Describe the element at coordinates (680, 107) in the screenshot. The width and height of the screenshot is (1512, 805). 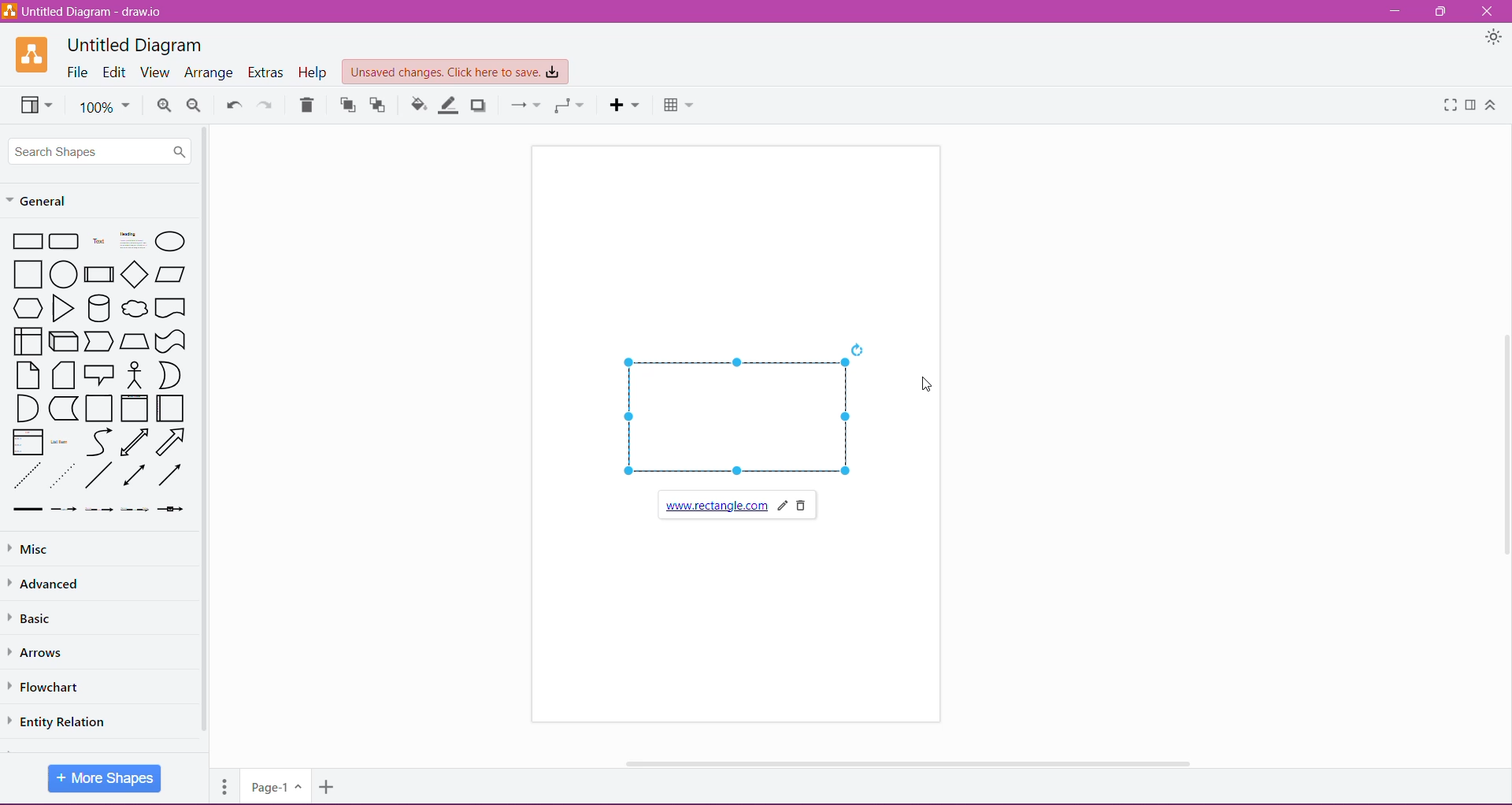
I see `Table` at that location.